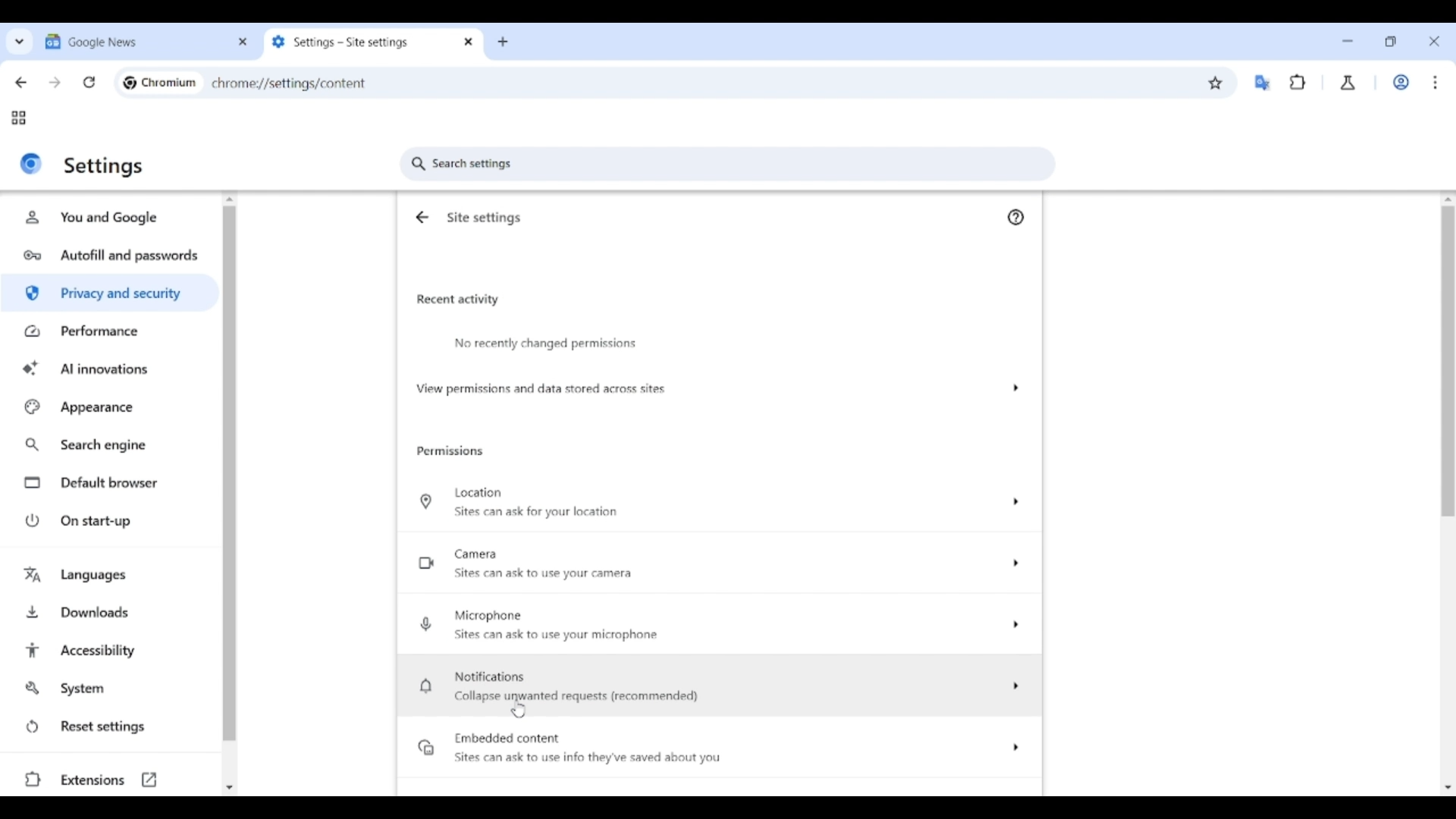  I want to click on Minimize, so click(1348, 41).